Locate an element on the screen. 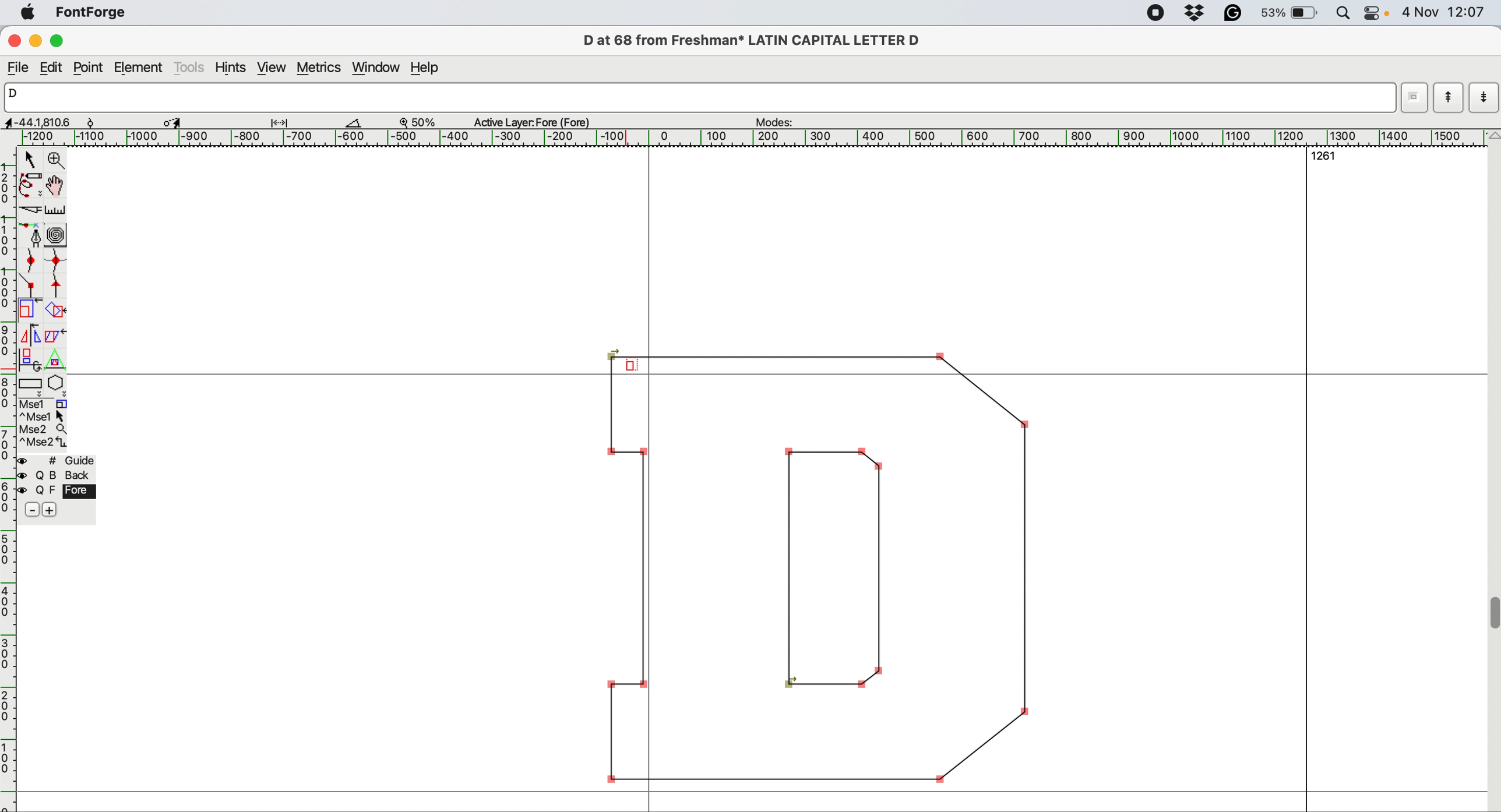  star or polygon is located at coordinates (57, 386).